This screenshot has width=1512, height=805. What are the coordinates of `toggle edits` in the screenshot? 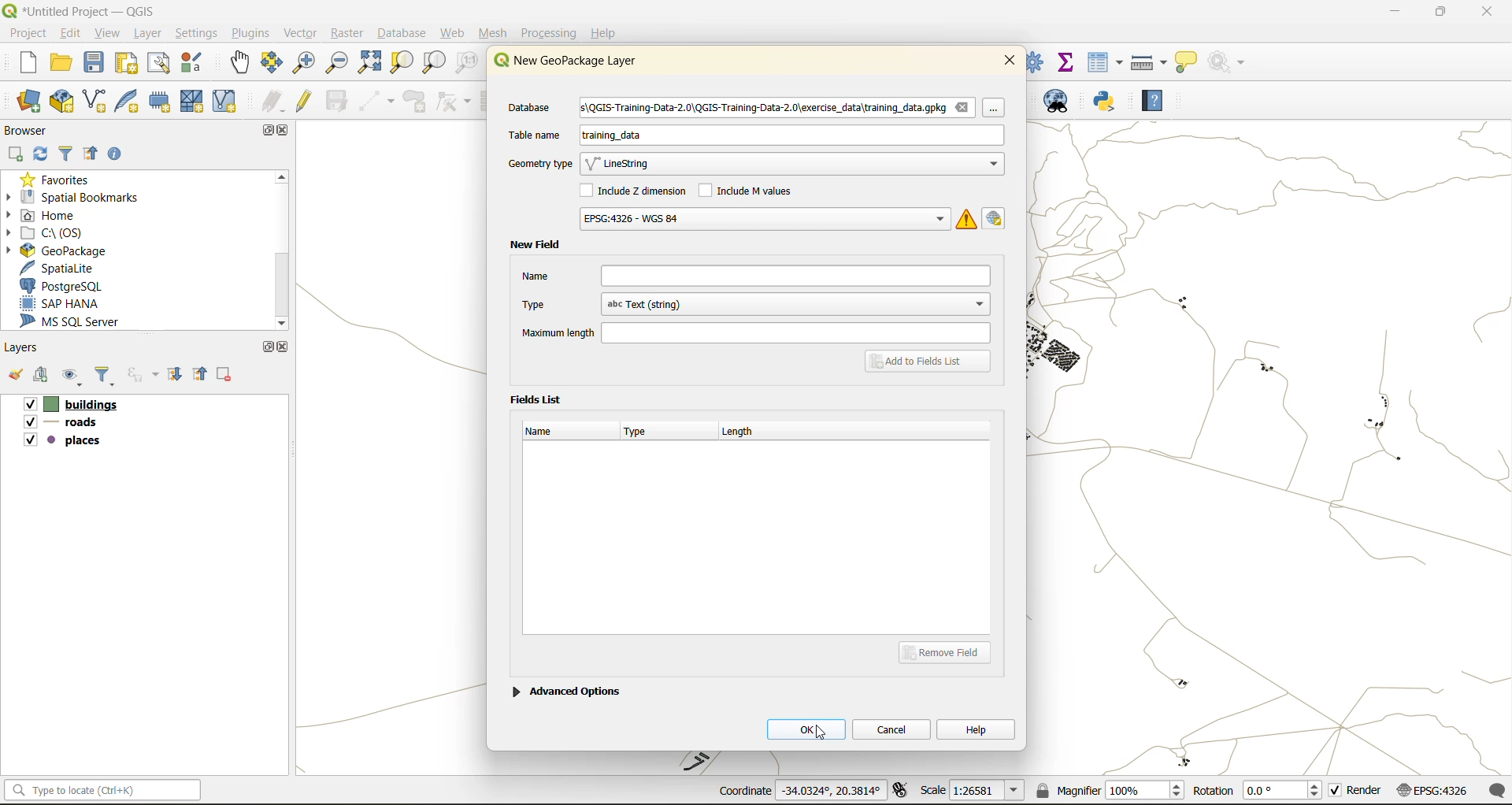 It's located at (305, 101).